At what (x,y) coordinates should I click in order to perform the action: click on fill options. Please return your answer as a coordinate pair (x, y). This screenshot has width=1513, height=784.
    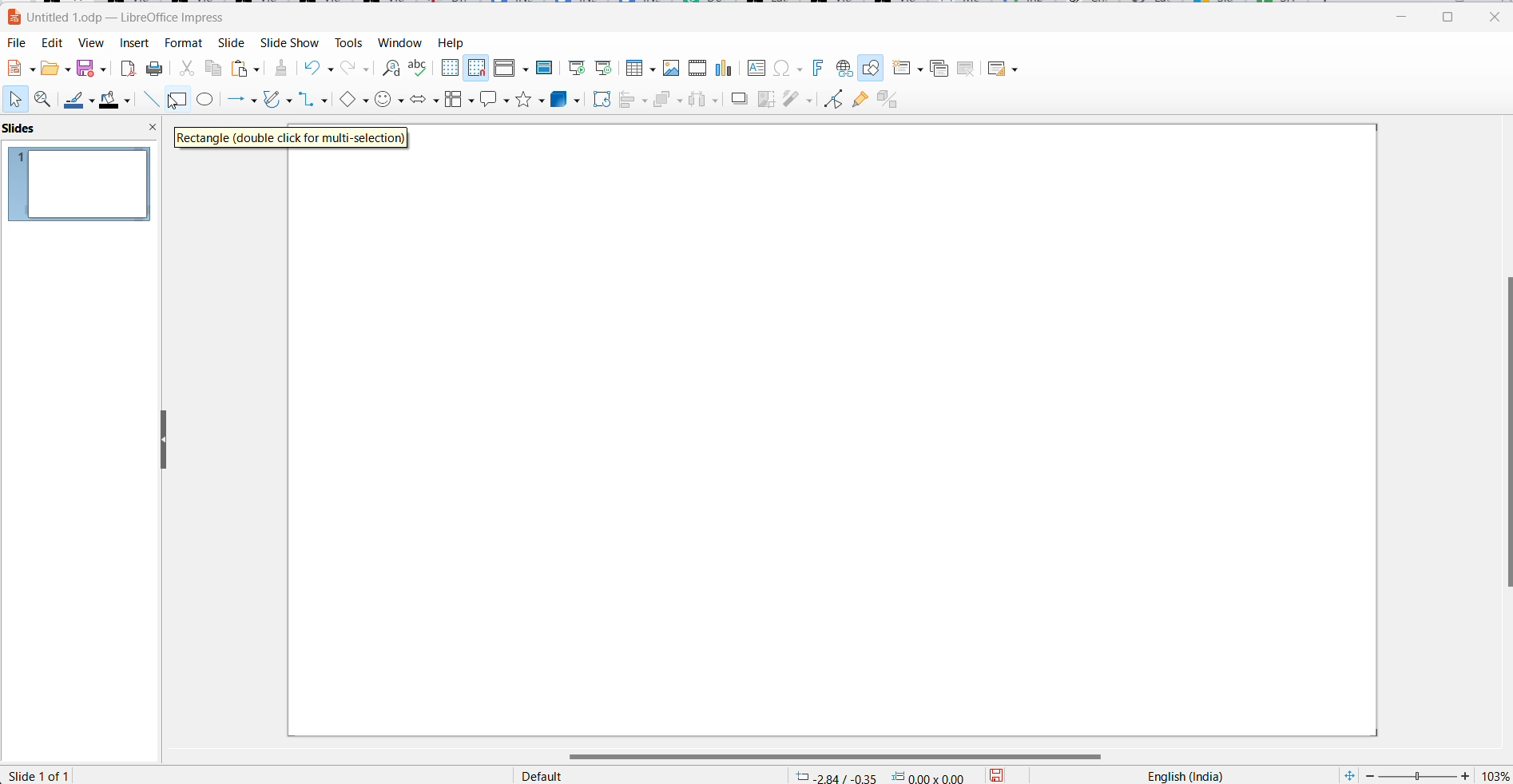
    Looking at the image, I should click on (54, 69).